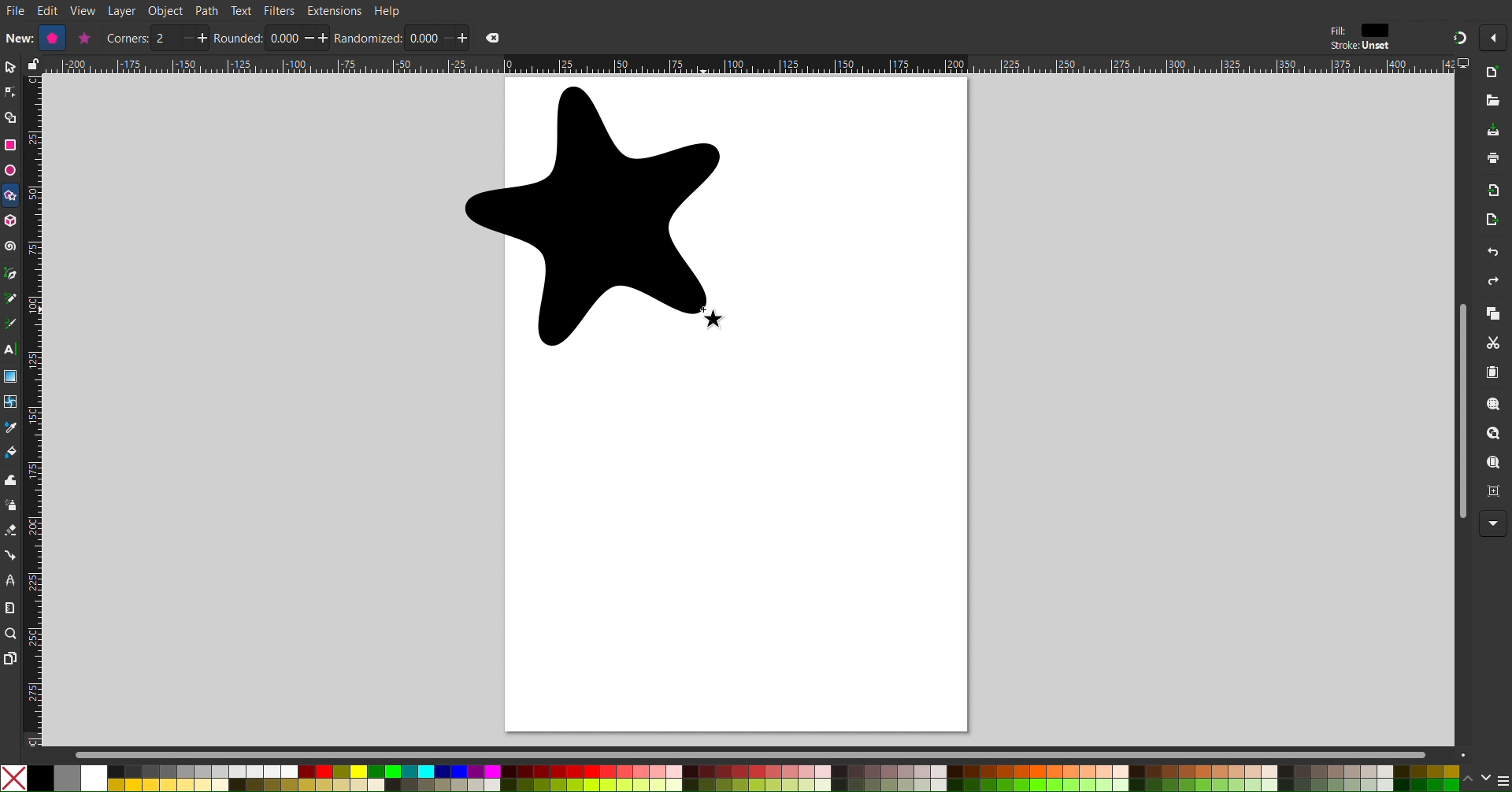  What do you see at coordinates (1359, 46) in the screenshot?
I see `Stroke: Unset` at bounding box center [1359, 46].